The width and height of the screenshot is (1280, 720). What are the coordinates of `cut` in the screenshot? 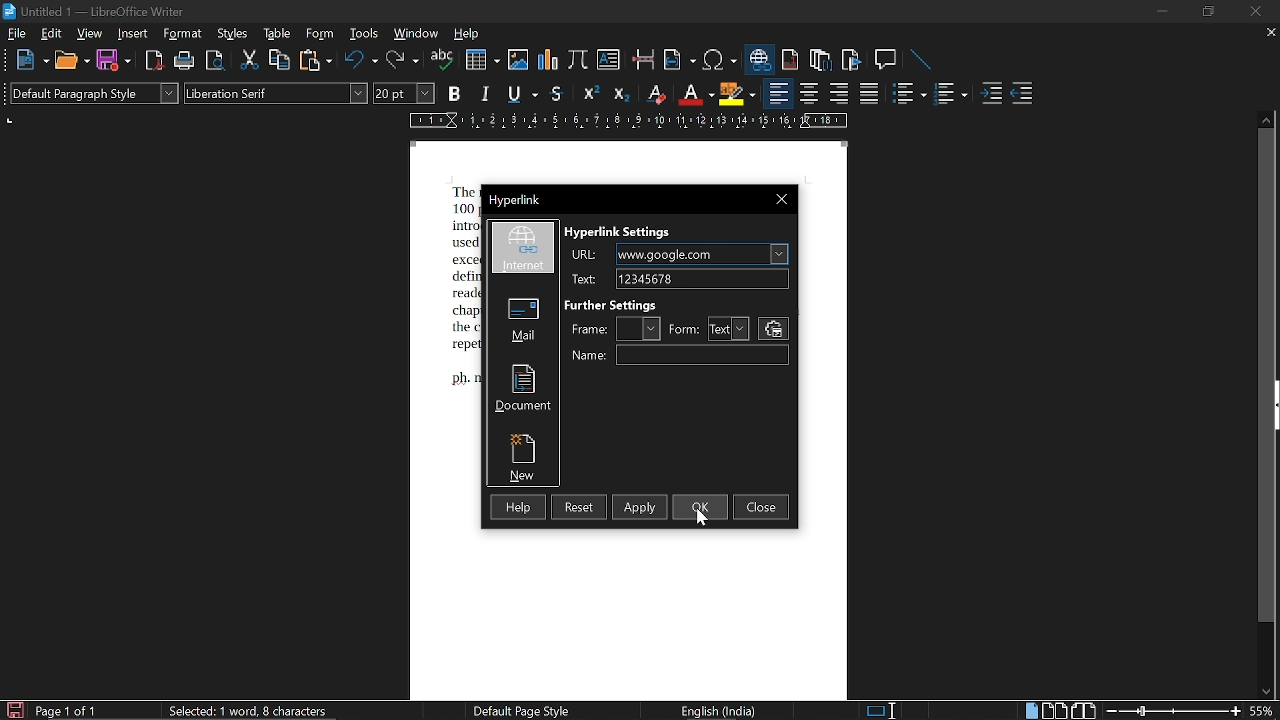 It's located at (250, 61).